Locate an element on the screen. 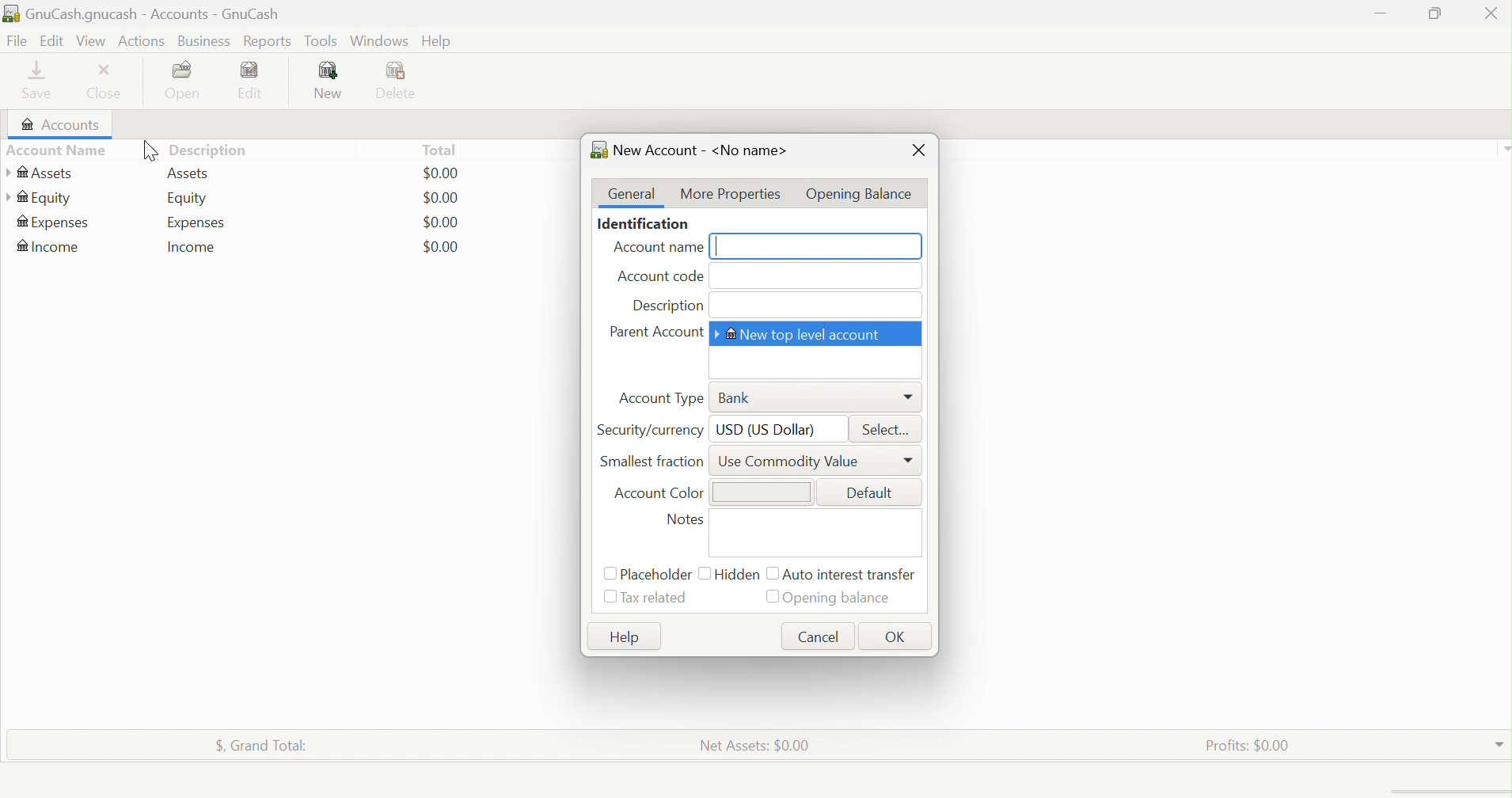  Use commodity value is located at coordinates (793, 461).